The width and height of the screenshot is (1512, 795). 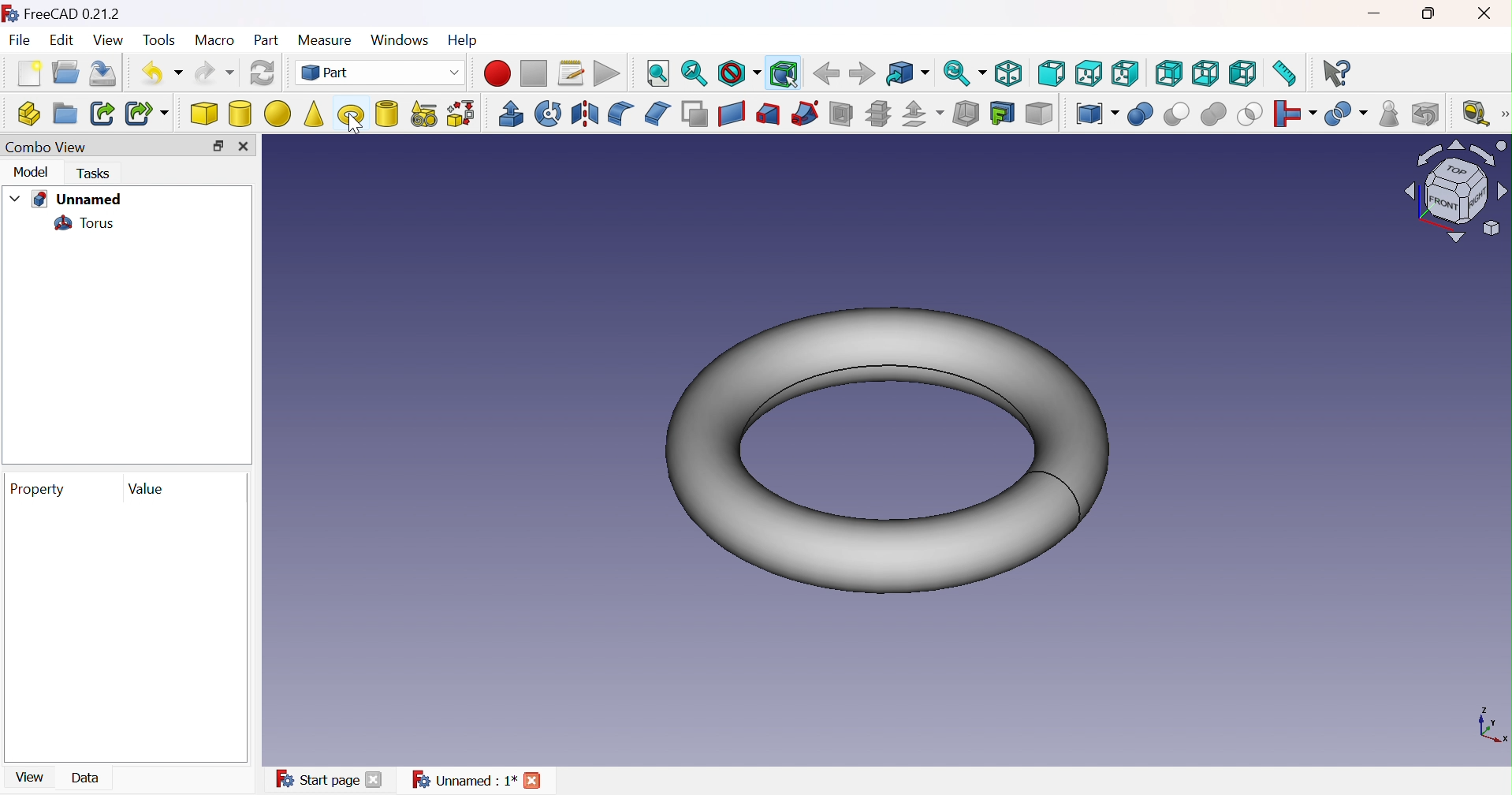 I want to click on Model, so click(x=32, y=172).